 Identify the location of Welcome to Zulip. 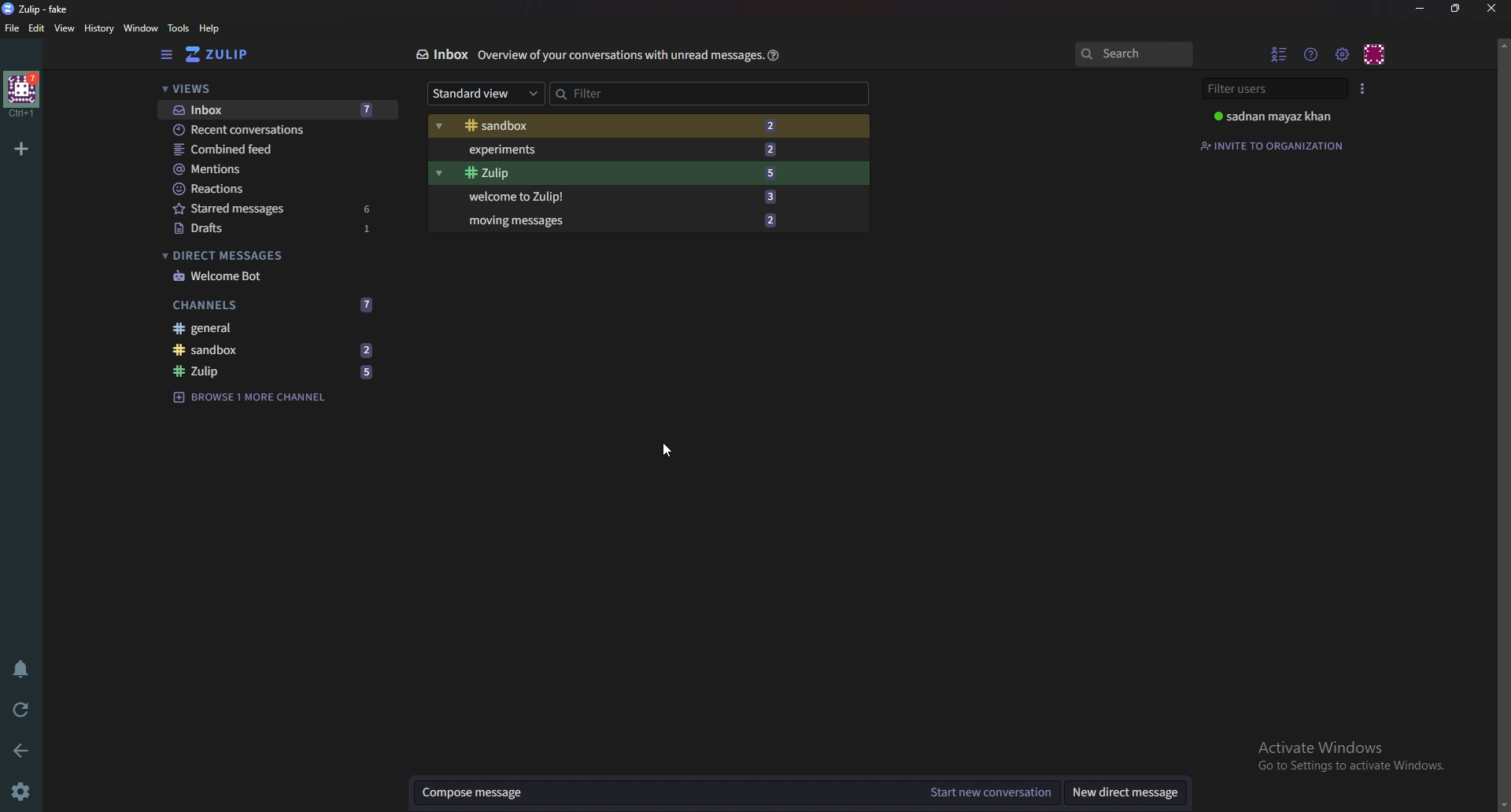
(620, 197).